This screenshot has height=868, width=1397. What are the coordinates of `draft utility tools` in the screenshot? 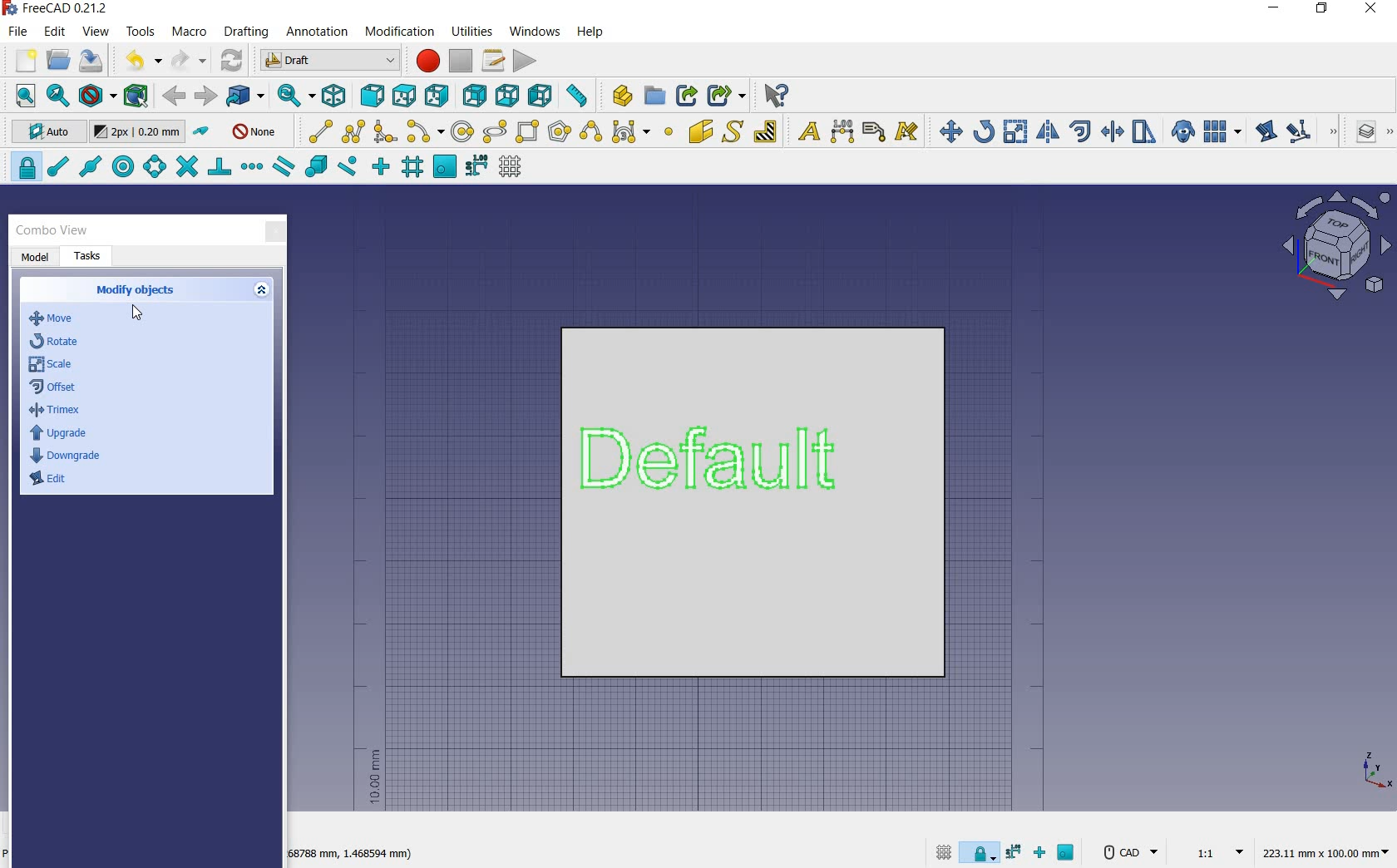 It's located at (1388, 133).